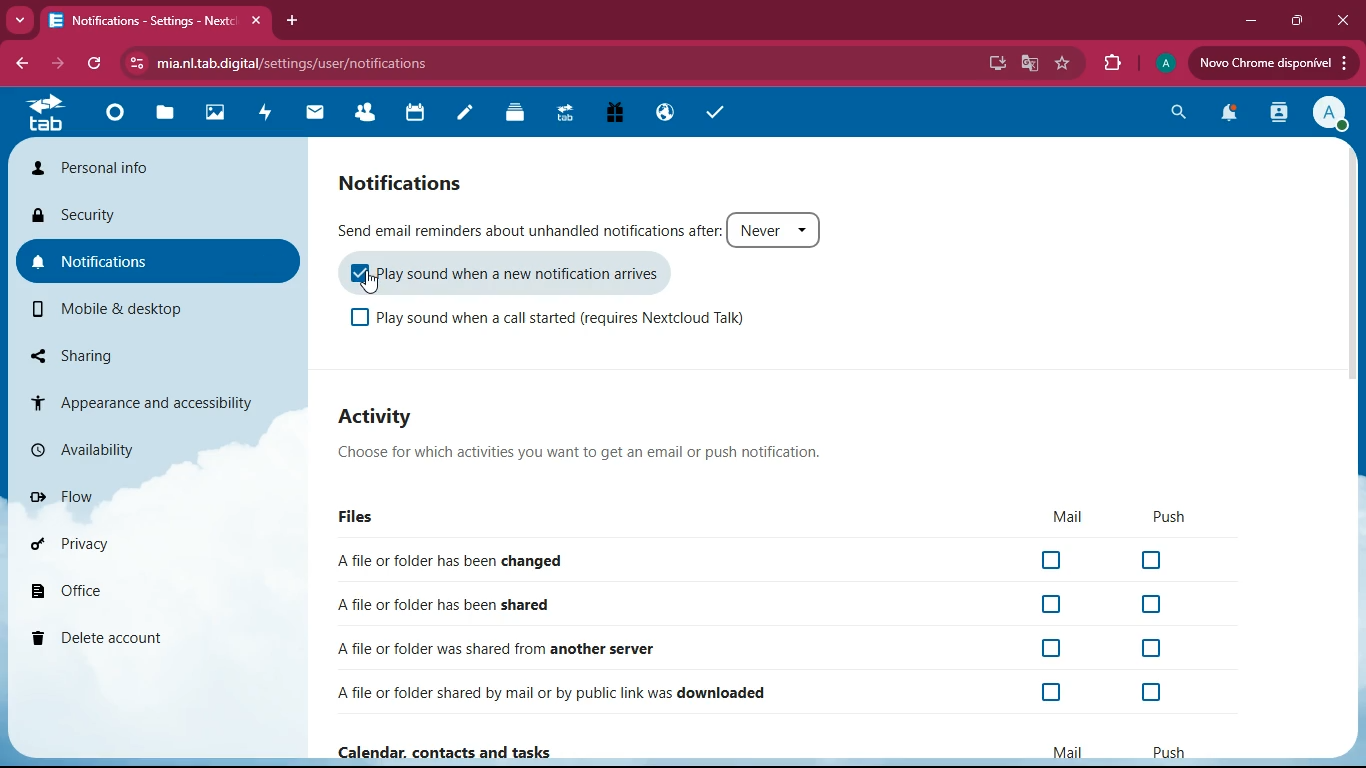  I want to click on public, so click(661, 111).